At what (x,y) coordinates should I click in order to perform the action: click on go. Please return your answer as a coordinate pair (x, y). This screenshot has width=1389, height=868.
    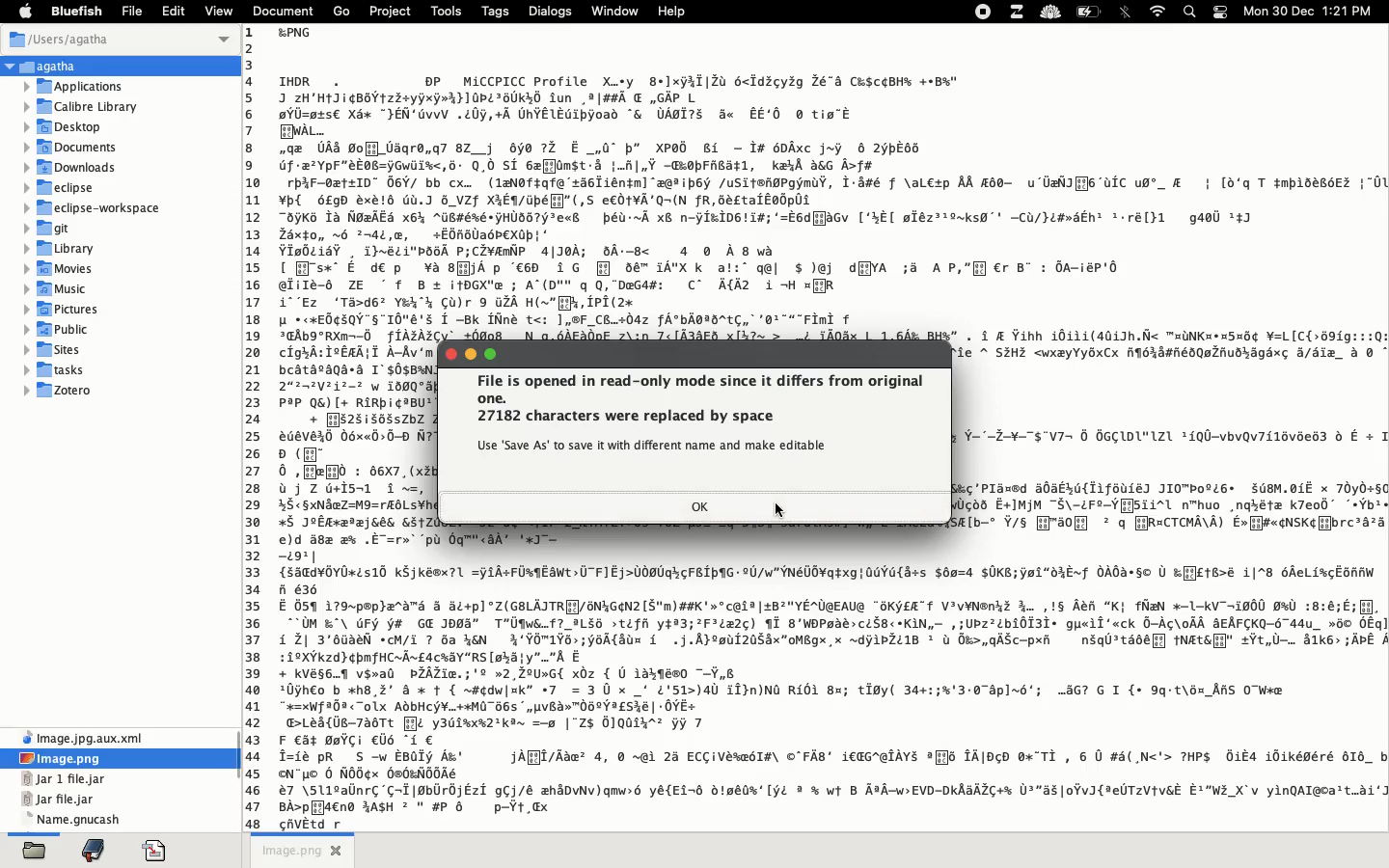
    Looking at the image, I should click on (342, 13).